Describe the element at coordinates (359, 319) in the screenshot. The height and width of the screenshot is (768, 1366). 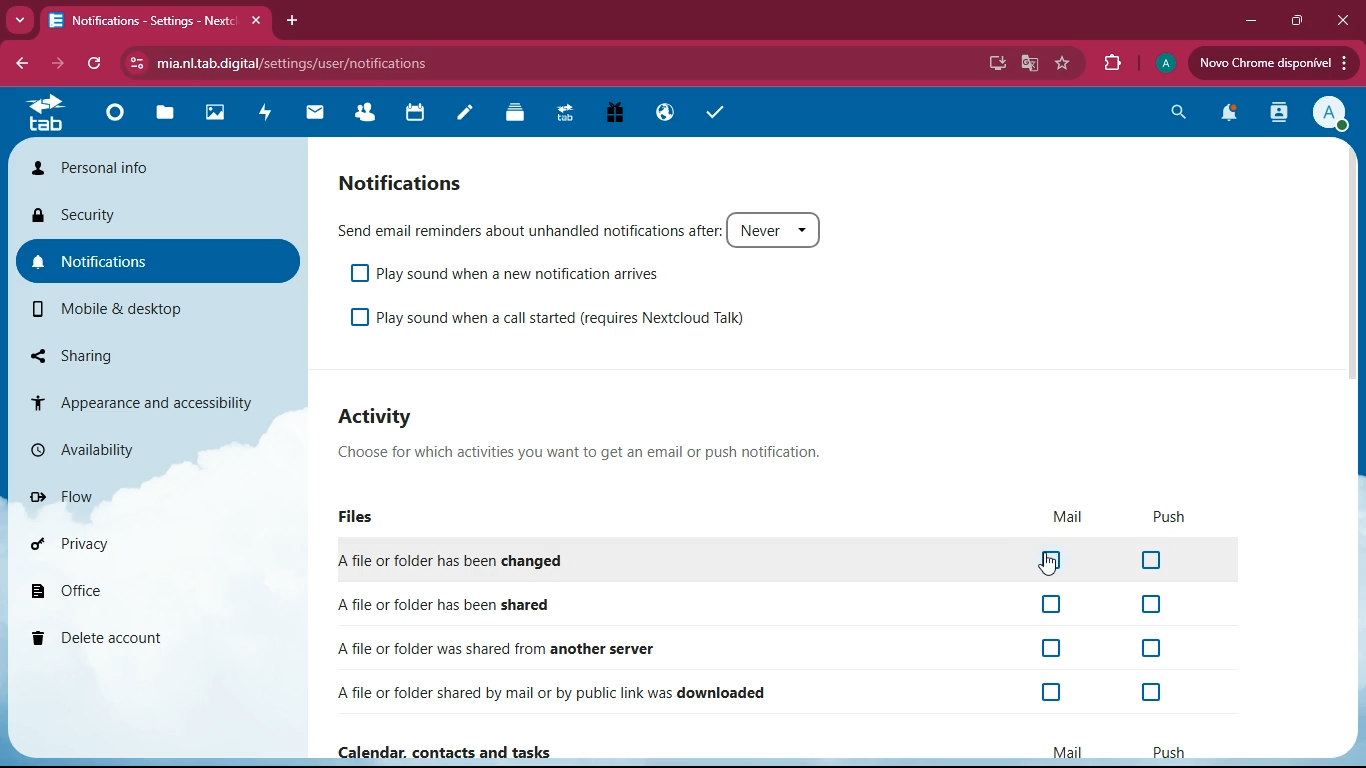
I see `off` at that location.